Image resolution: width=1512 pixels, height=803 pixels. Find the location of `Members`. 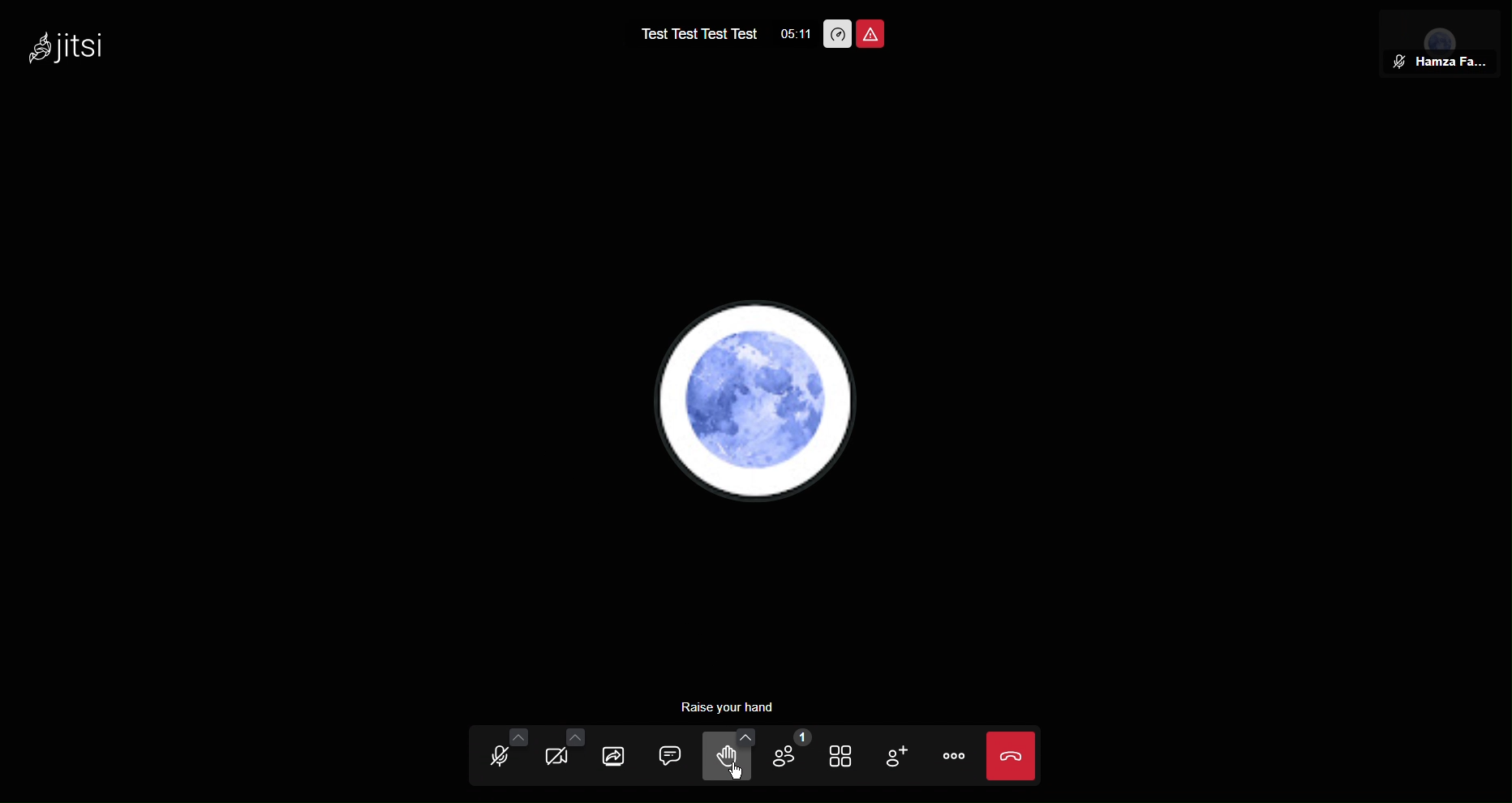

Members is located at coordinates (793, 757).